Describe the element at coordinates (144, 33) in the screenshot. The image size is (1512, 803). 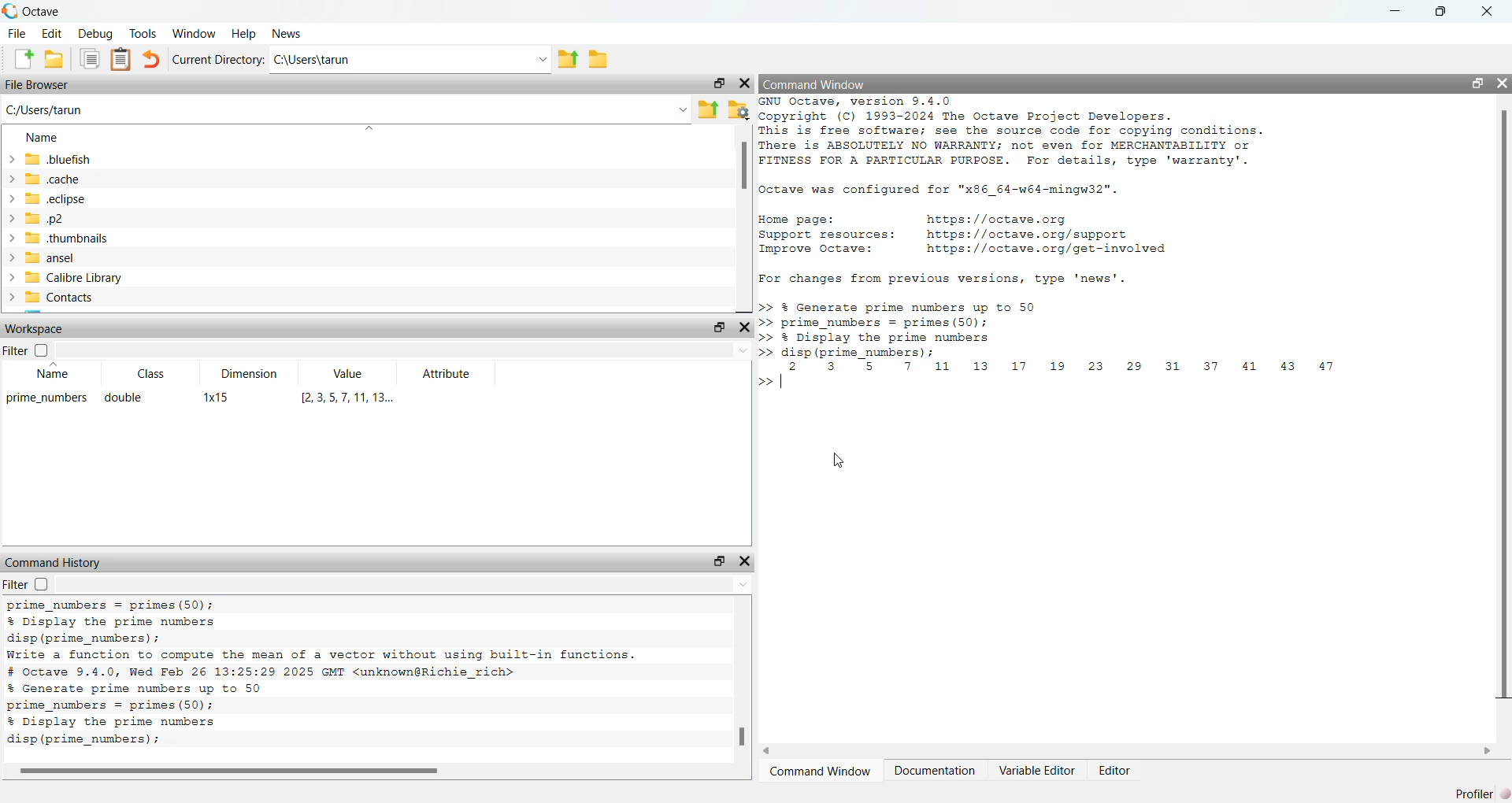
I see `tools` at that location.